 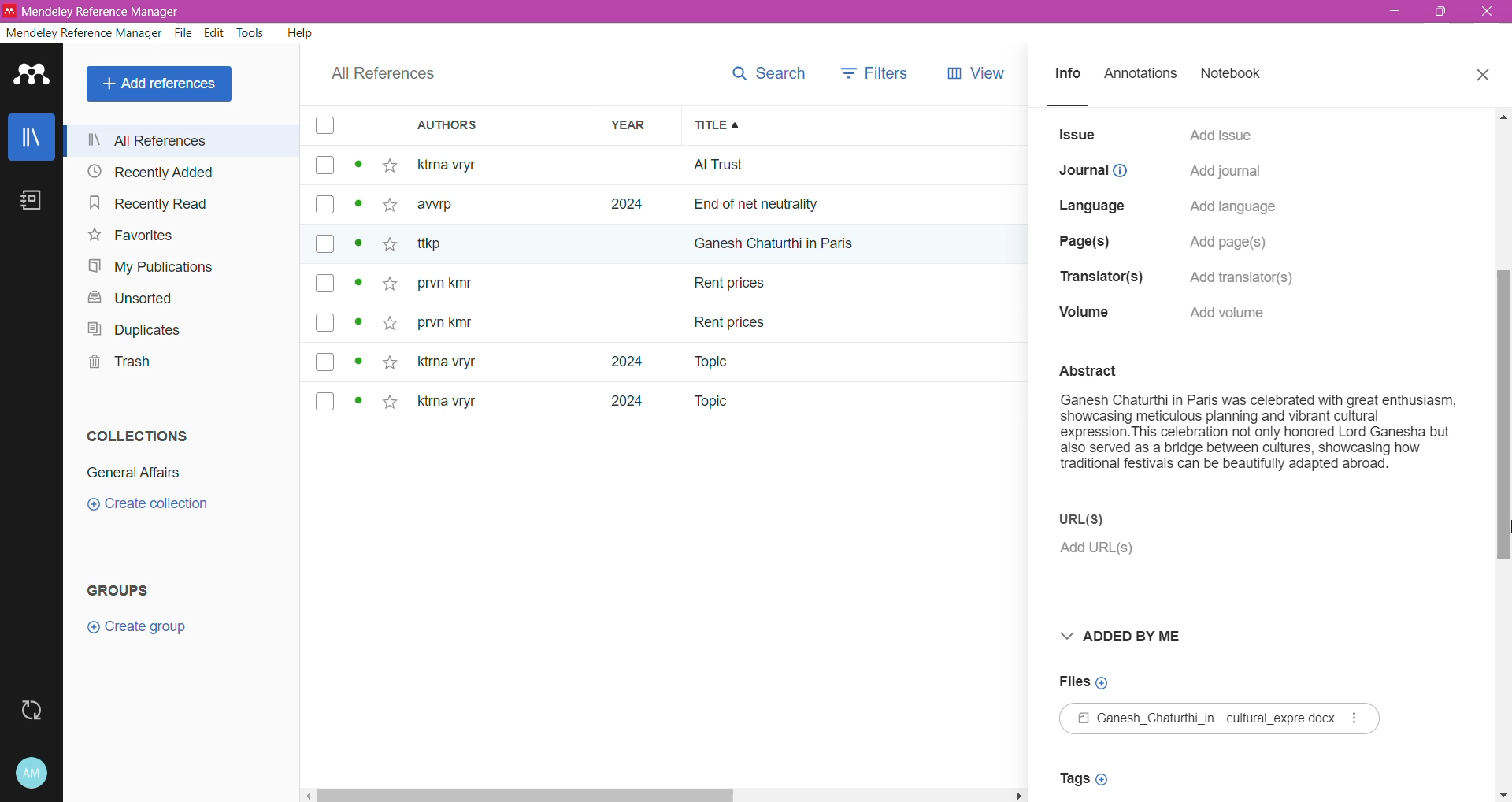 What do you see at coordinates (1251, 274) in the screenshot?
I see `Click to add translators` at bounding box center [1251, 274].